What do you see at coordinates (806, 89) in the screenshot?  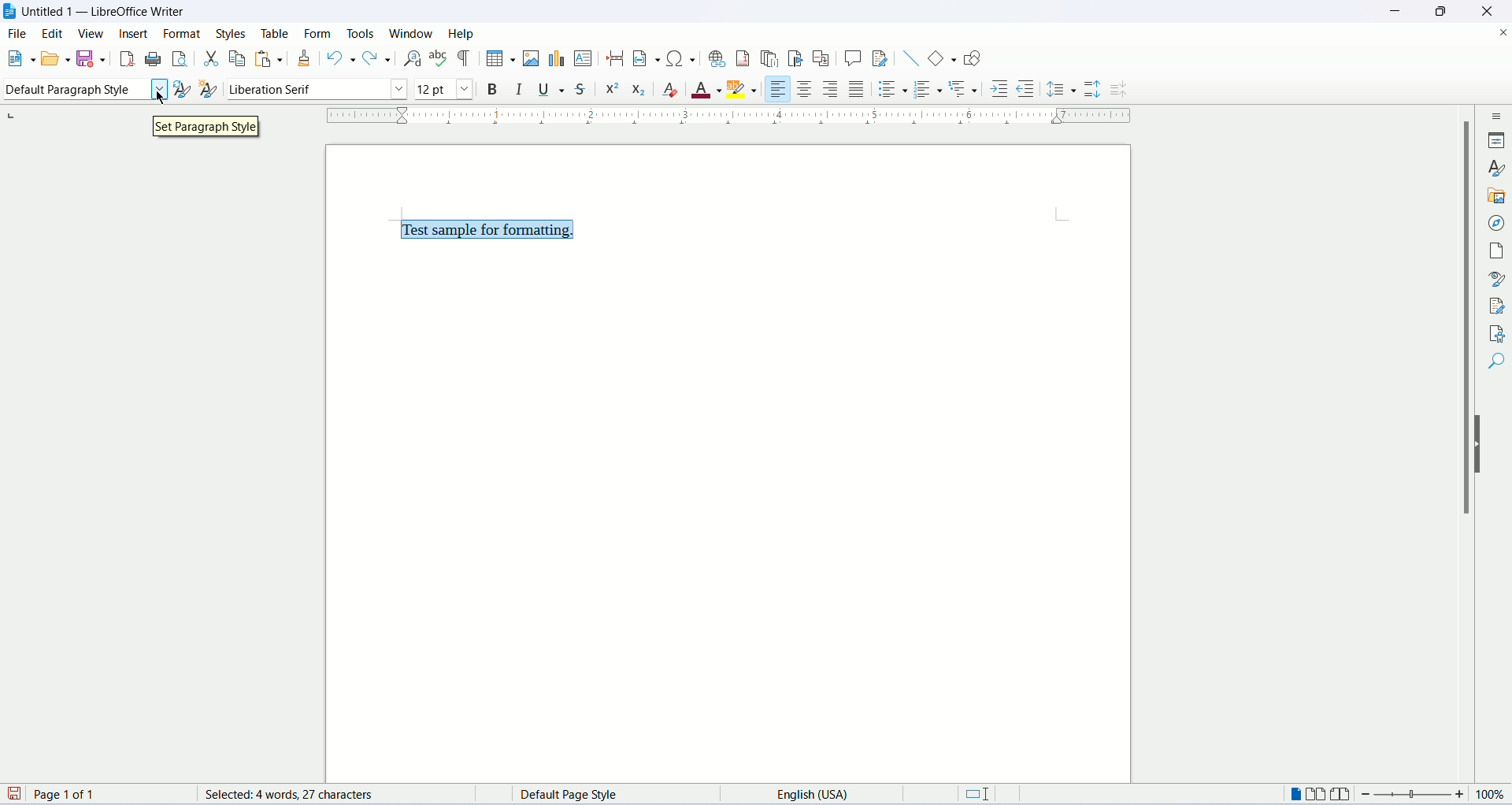 I see `align center` at bounding box center [806, 89].